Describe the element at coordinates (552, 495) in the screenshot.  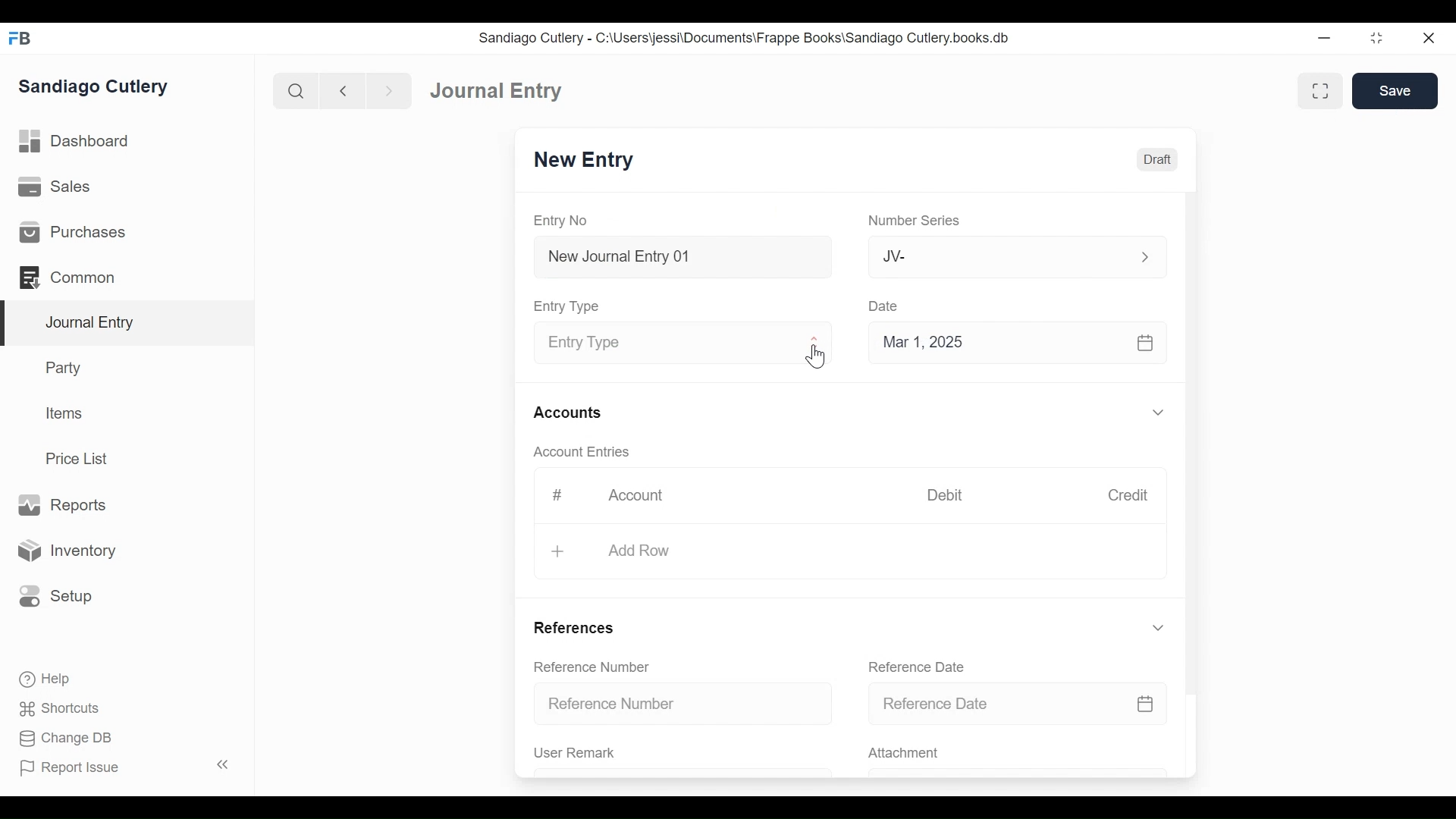
I see `#` at that location.